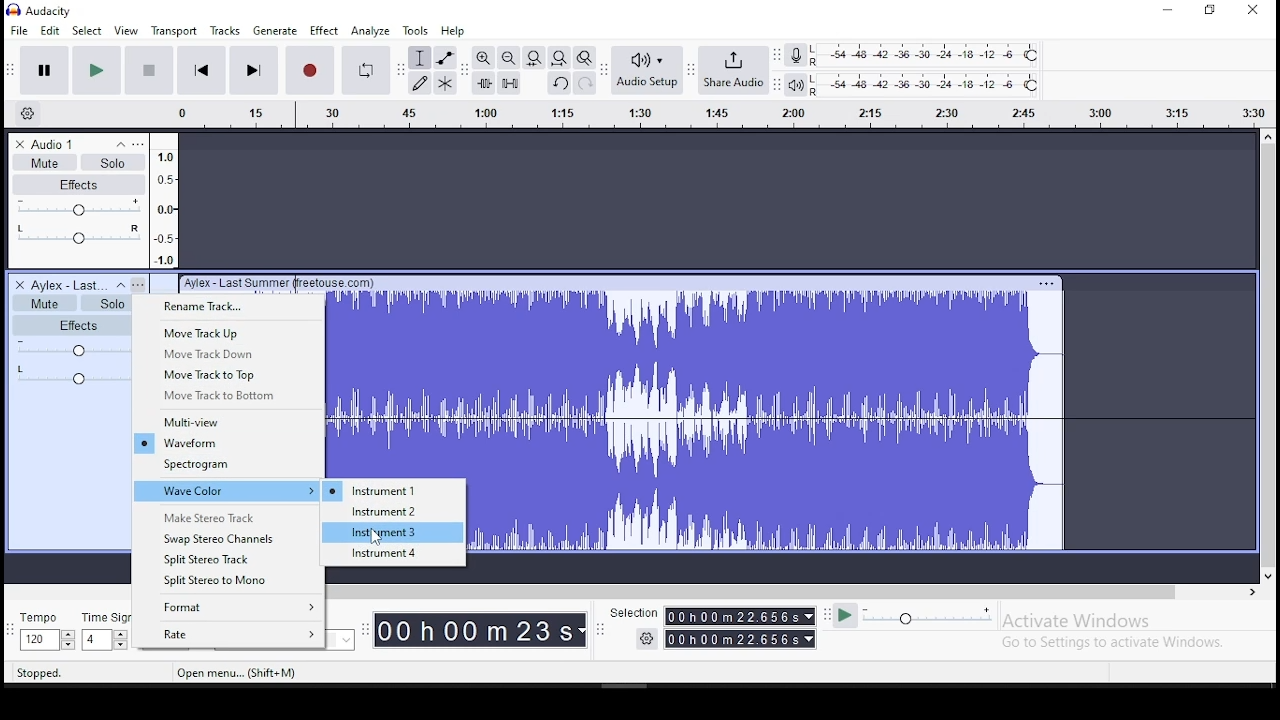 The image size is (1280, 720). Describe the element at coordinates (174, 30) in the screenshot. I see `transport` at that location.